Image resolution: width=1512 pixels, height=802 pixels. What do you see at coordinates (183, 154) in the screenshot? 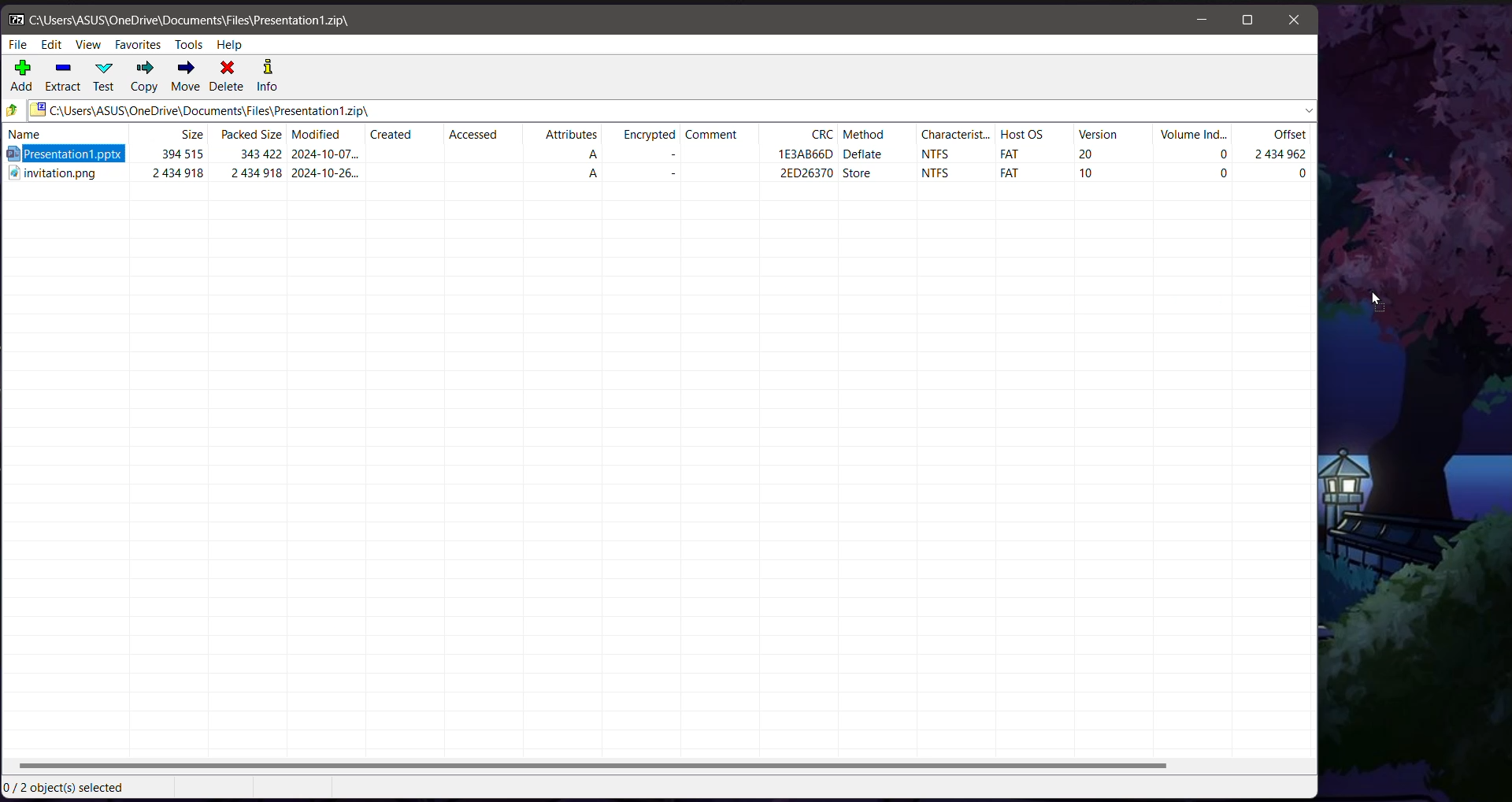
I see `394515` at bounding box center [183, 154].